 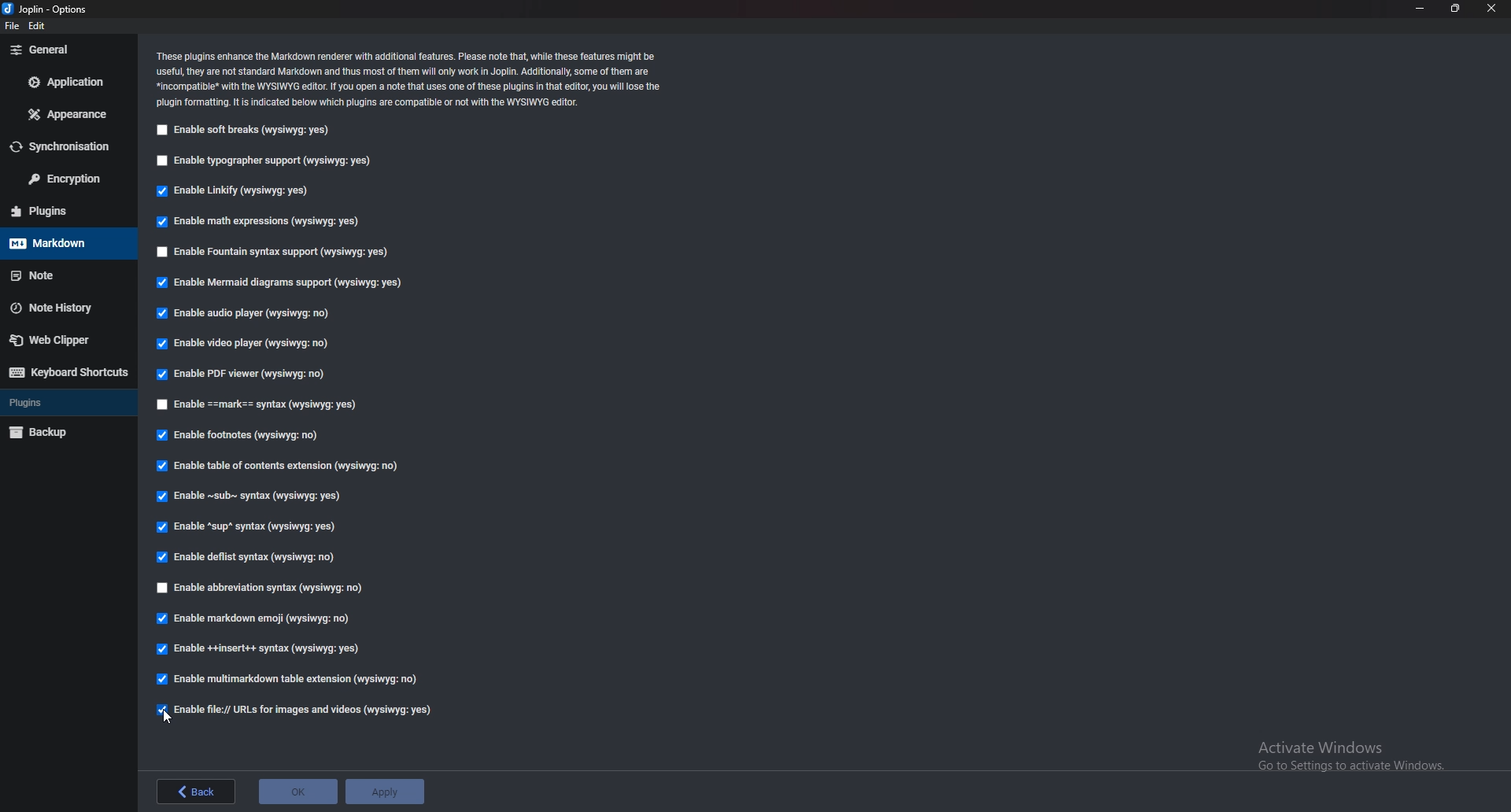 I want to click on file, so click(x=14, y=24).